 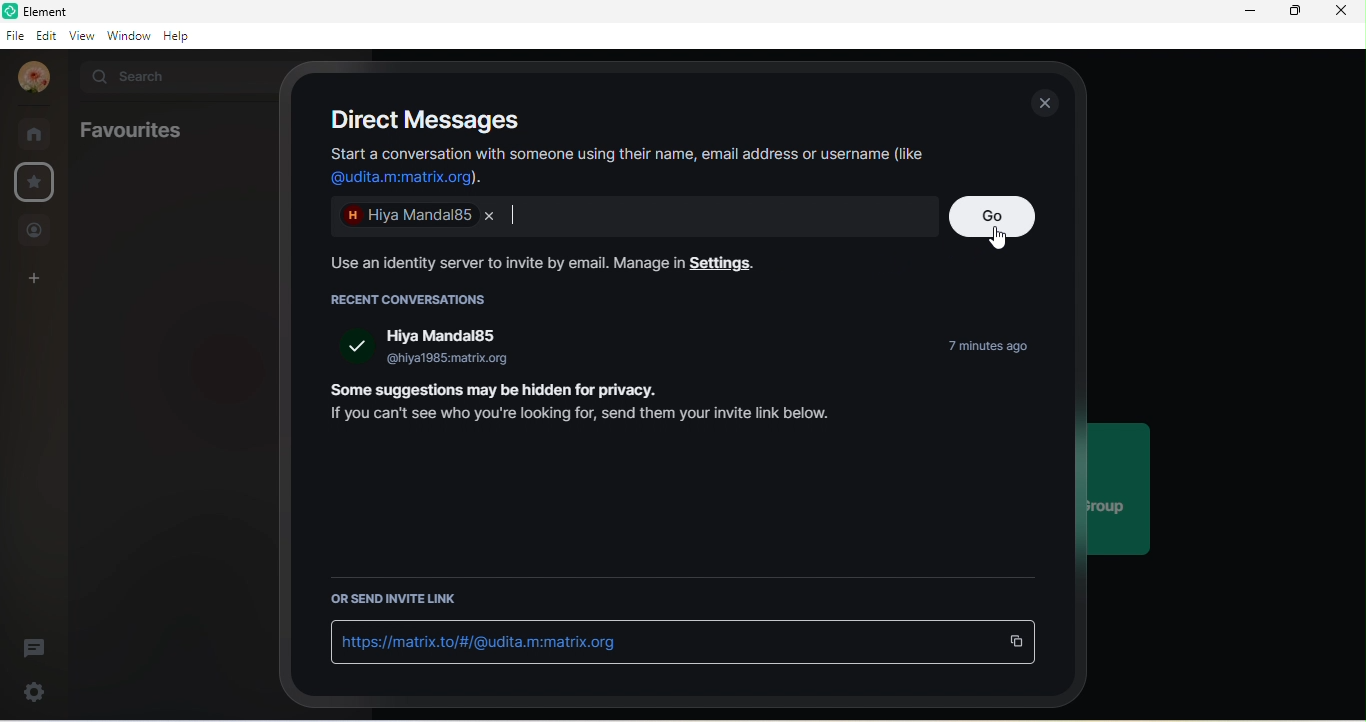 I want to click on rooms, so click(x=37, y=134).